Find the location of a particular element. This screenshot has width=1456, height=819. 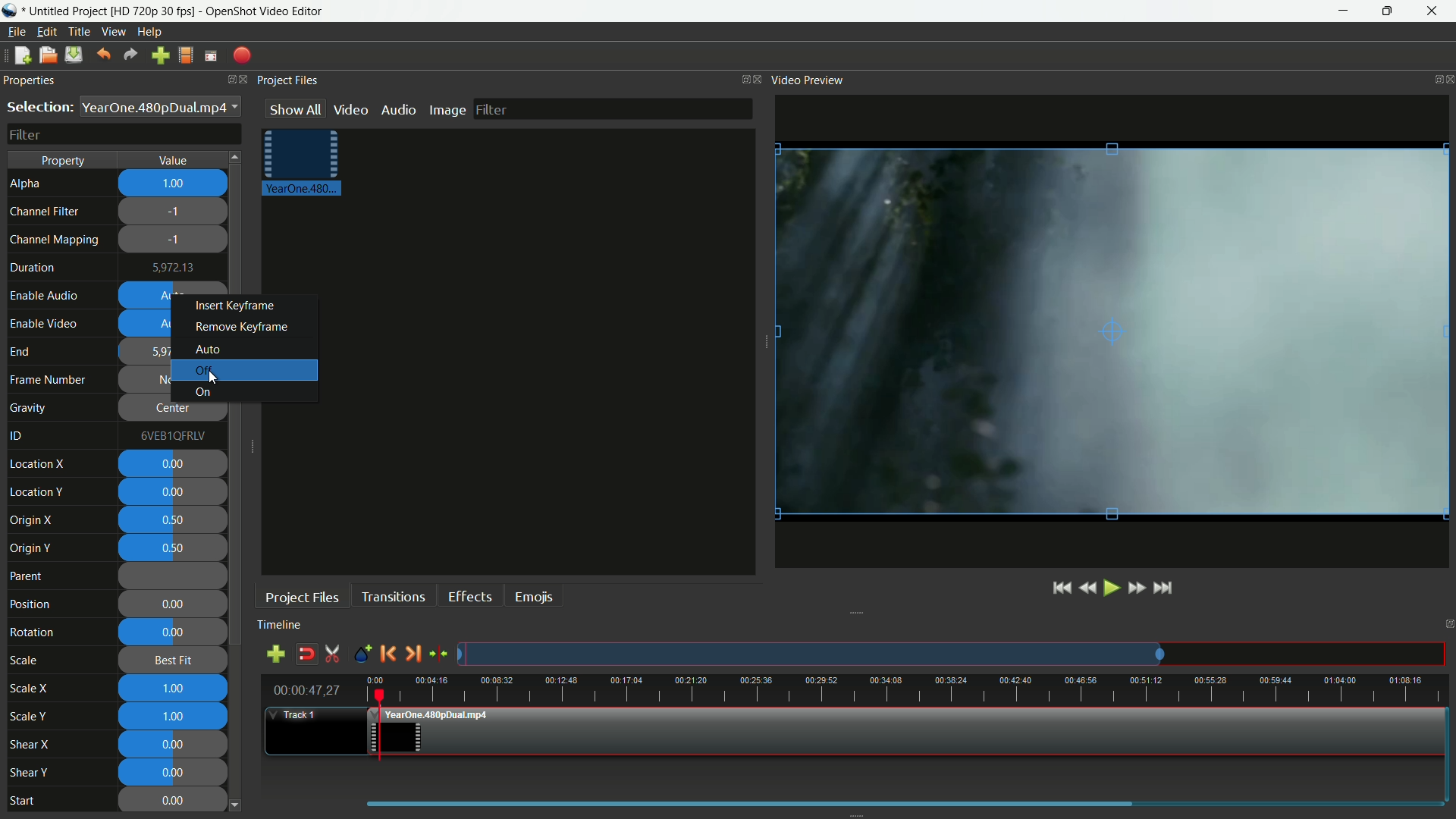

effects is located at coordinates (467, 595).